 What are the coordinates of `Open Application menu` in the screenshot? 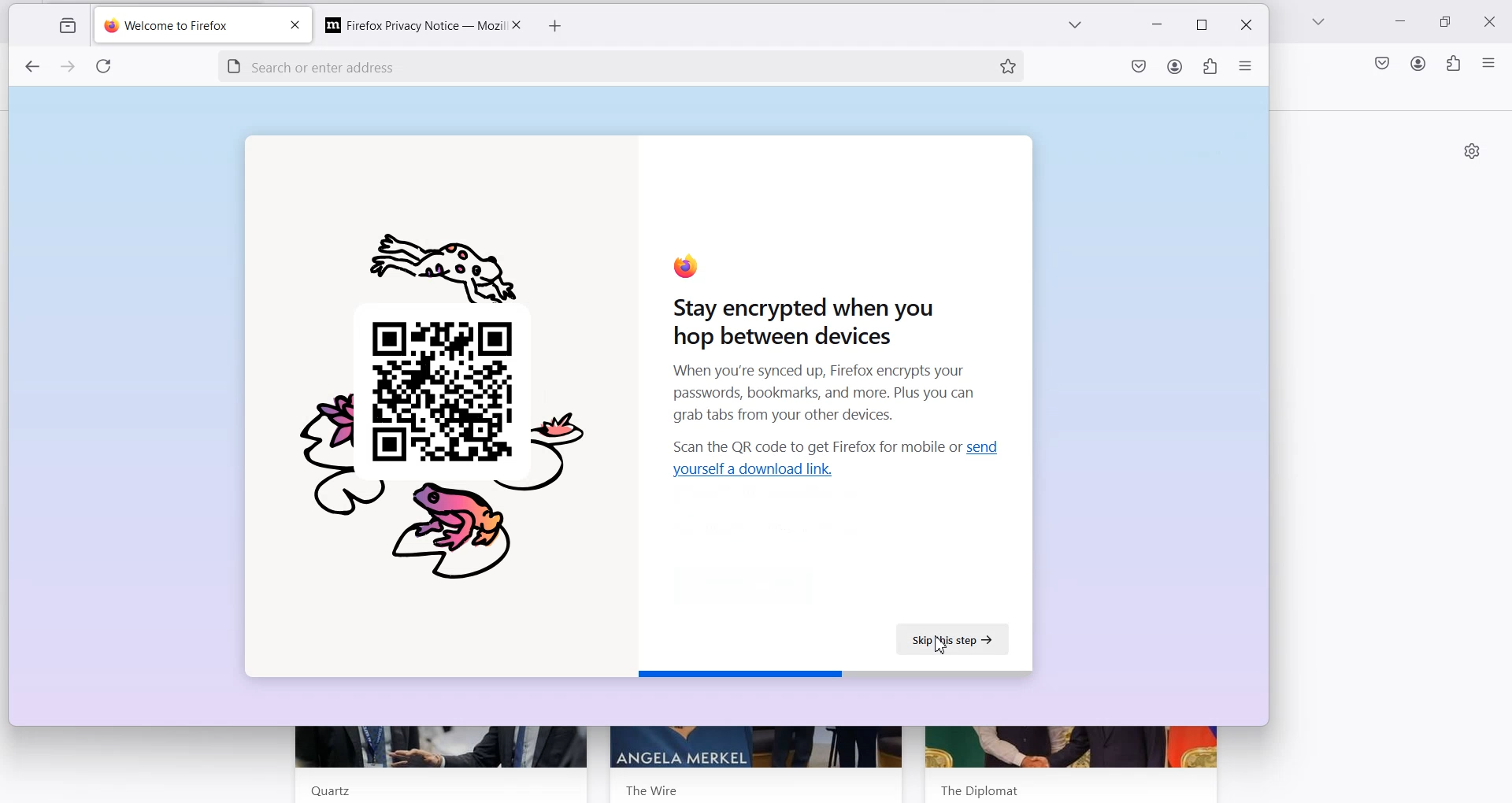 It's located at (1490, 62).